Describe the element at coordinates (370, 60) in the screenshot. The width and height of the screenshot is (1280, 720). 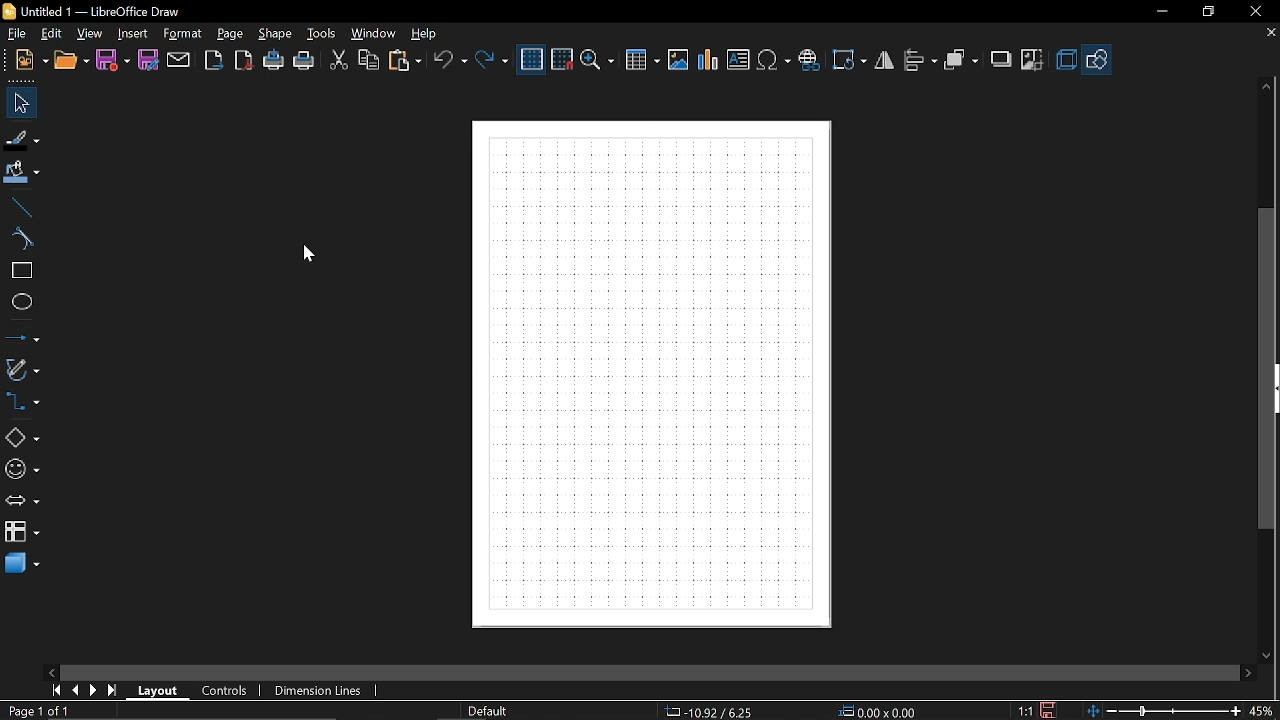
I see `copy` at that location.